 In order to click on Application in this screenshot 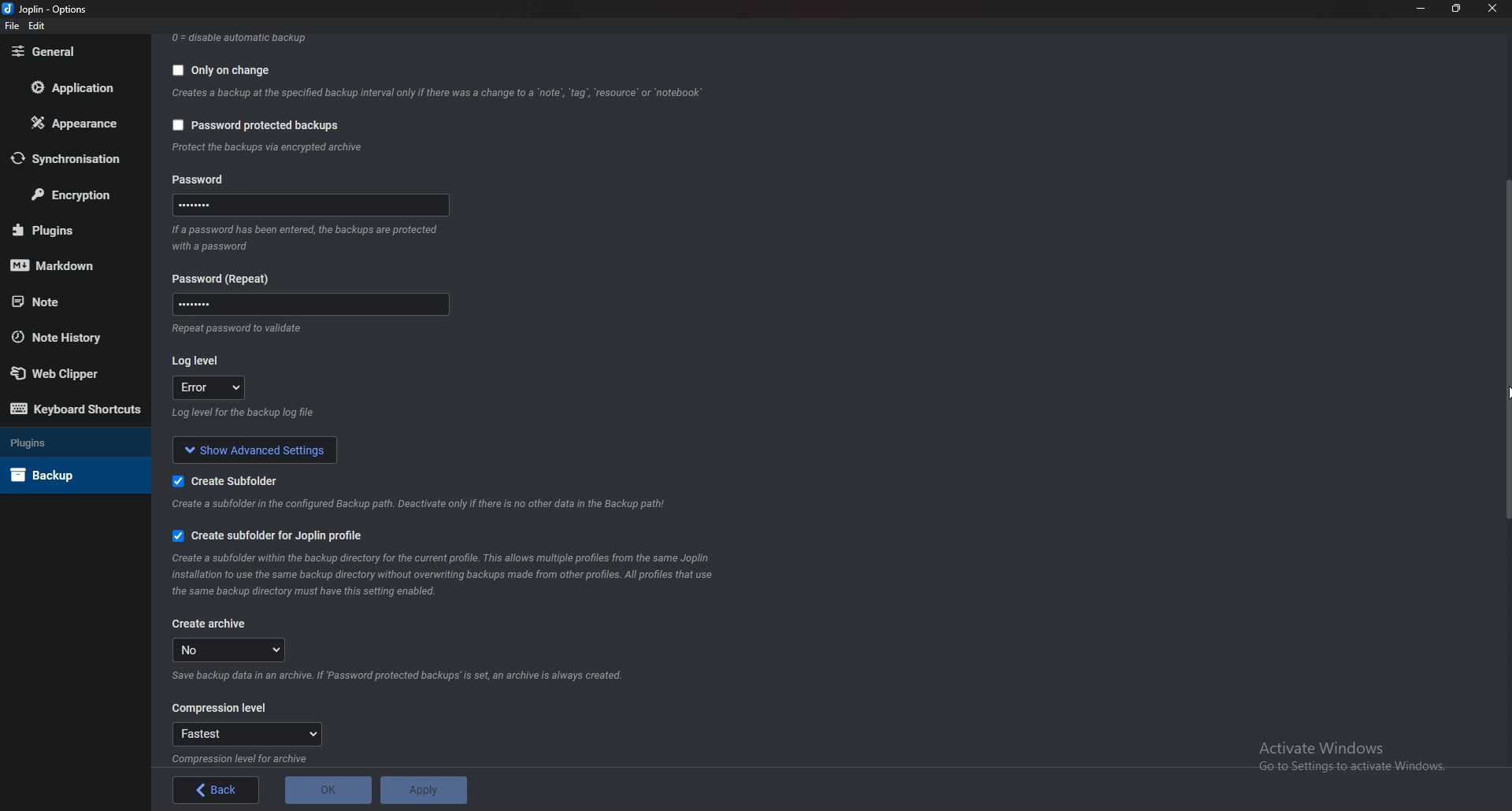, I will do `click(80, 87)`.